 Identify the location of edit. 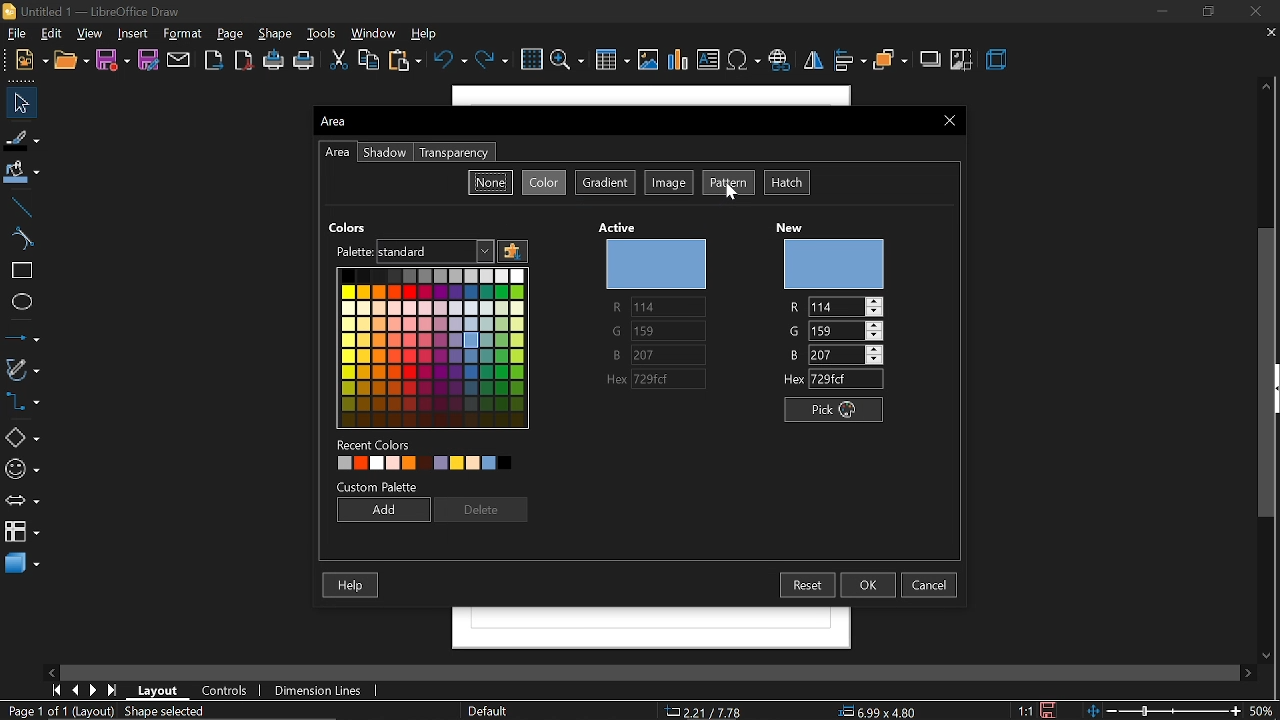
(50, 32).